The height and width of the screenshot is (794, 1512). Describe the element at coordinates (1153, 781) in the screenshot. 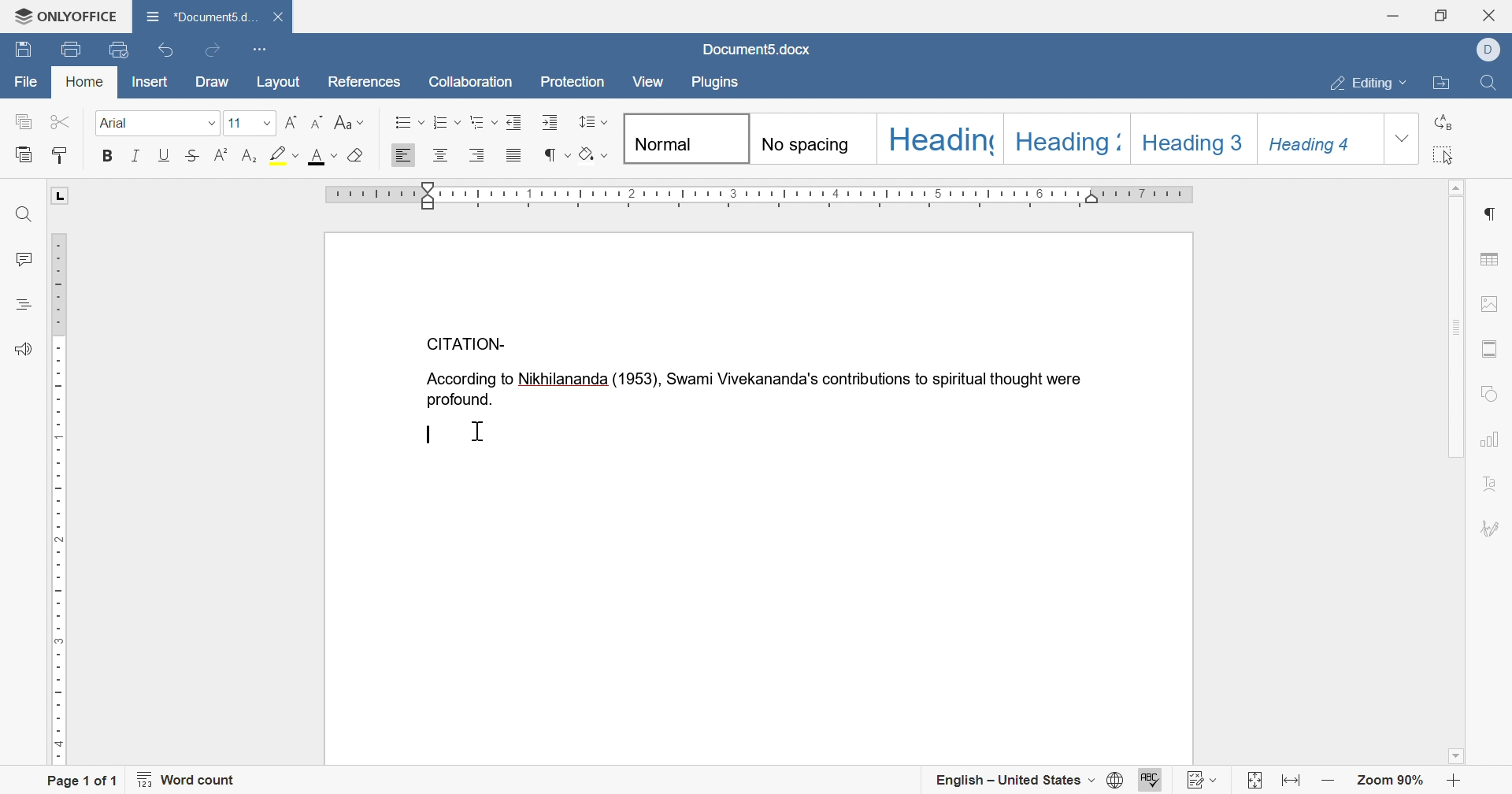

I see `spell checking` at that location.